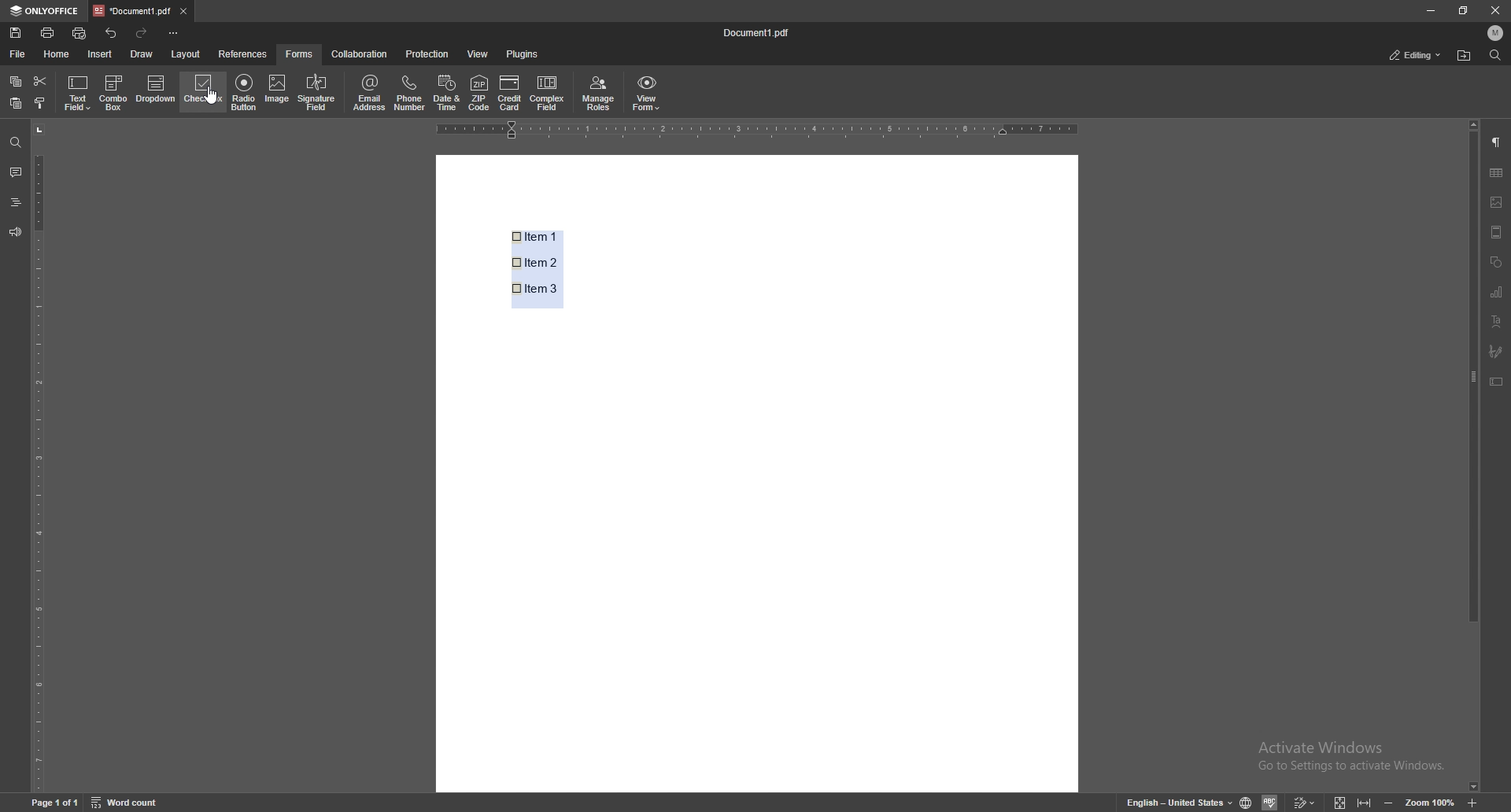 This screenshot has height=812, width=1511. I want to click on references, so click(243, 54).